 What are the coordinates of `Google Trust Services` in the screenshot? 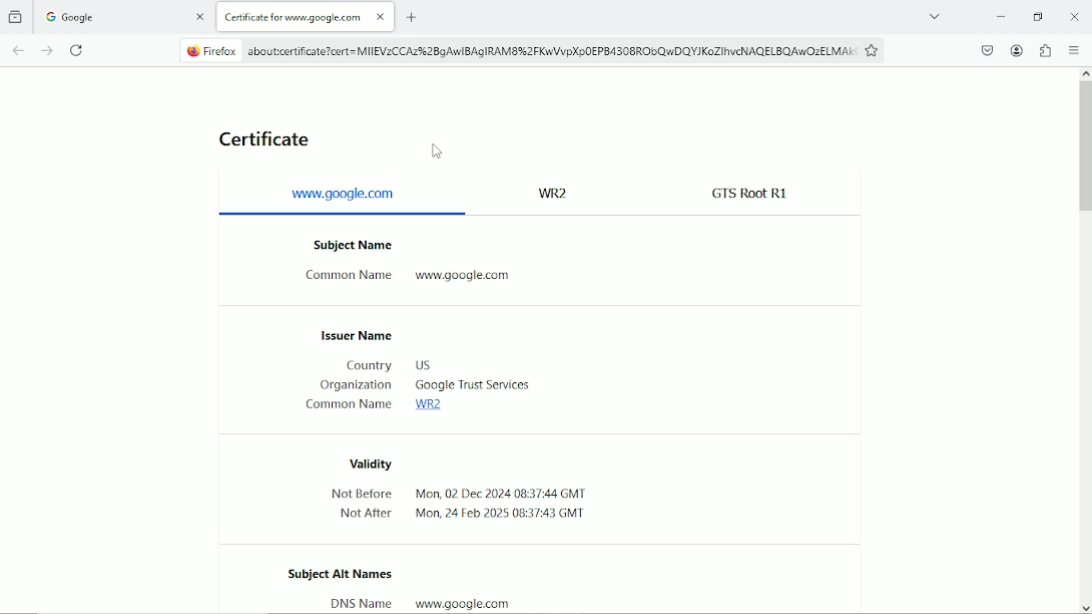 It's located at (472, 387).